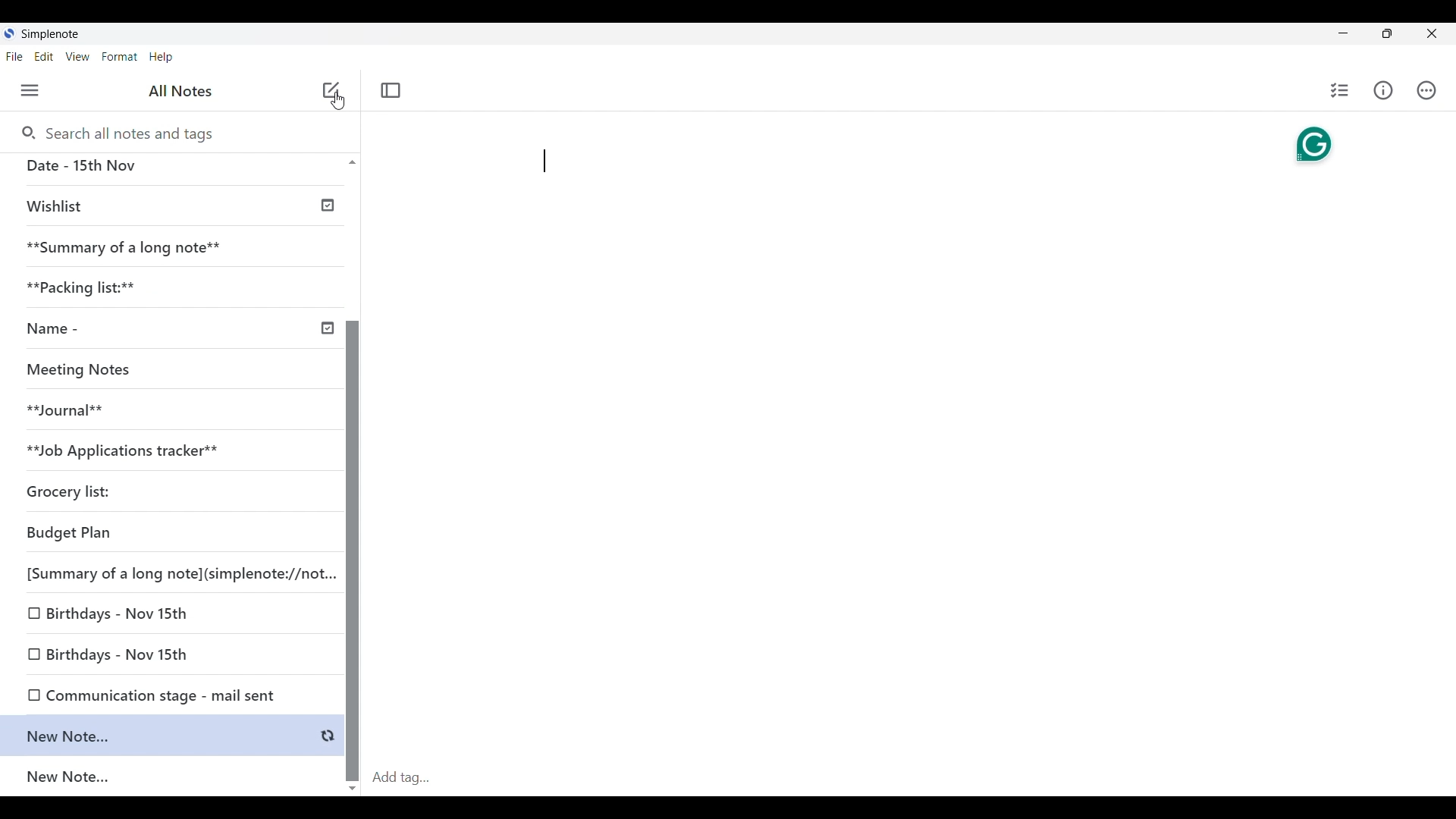  I want to click on Actions, so click(1426, 90).